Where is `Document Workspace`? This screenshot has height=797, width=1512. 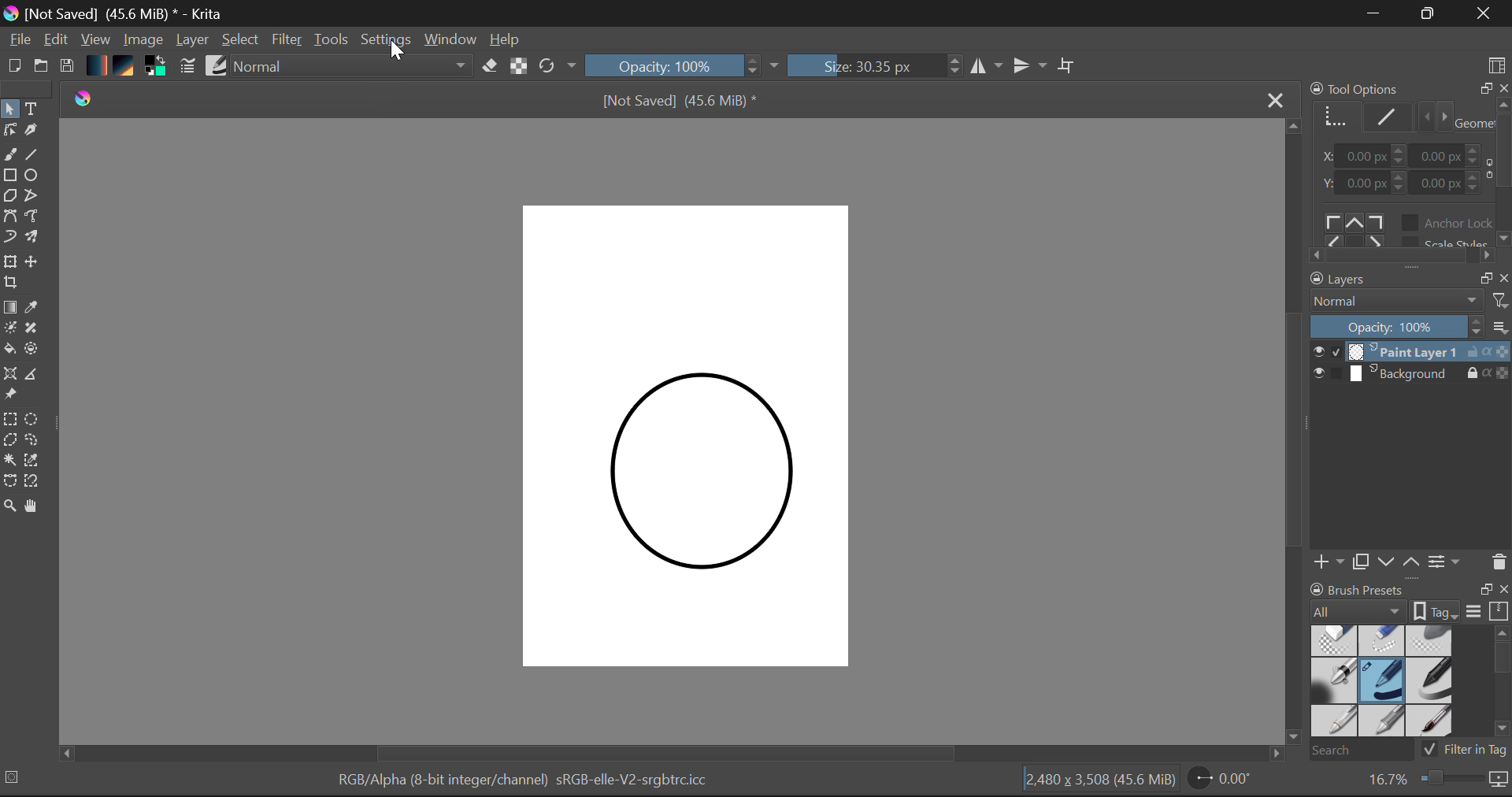
Document Workspace is located at coordinates (690, 436).